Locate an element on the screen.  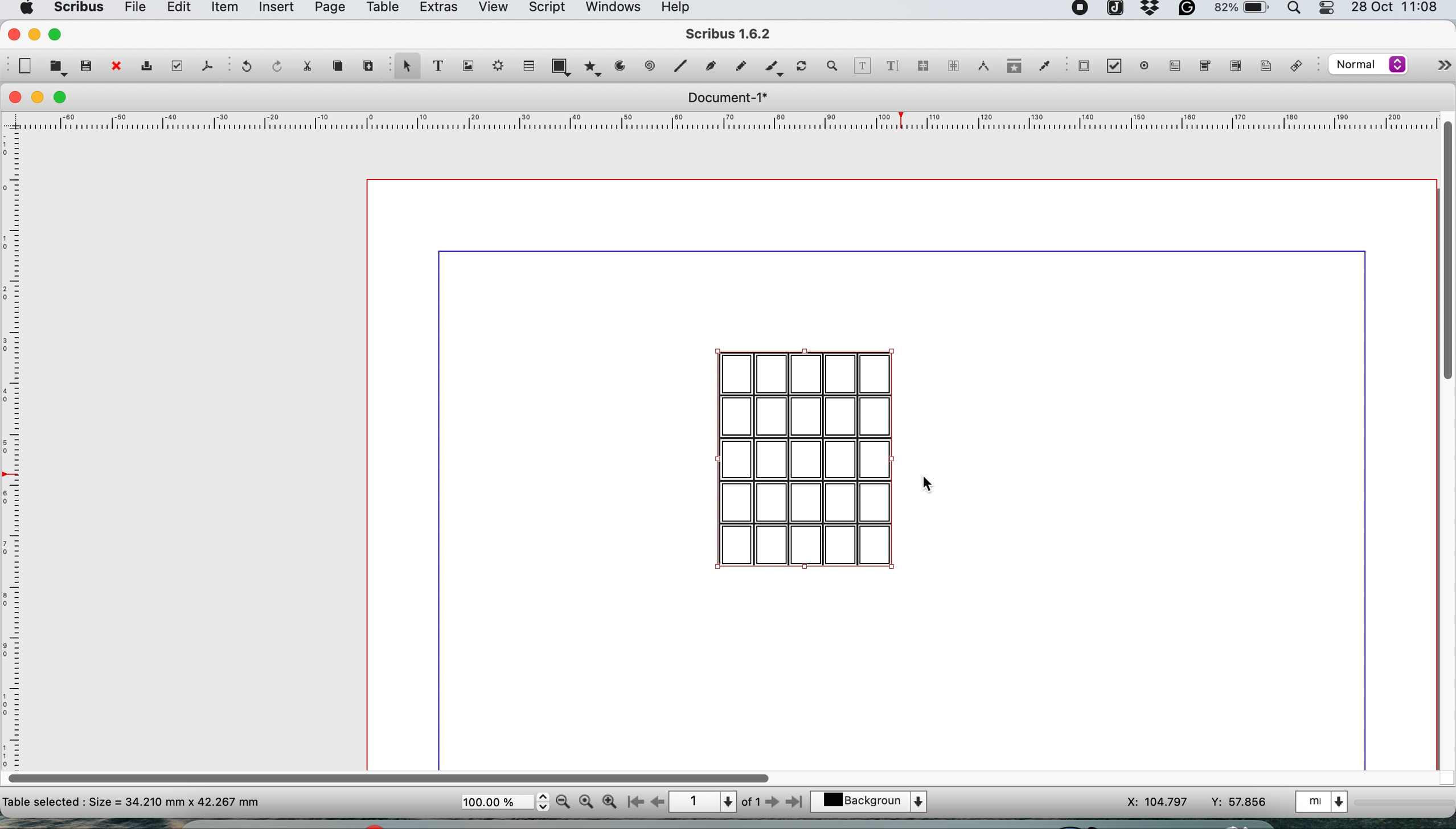
more options is located at coordinates (1432, 68).